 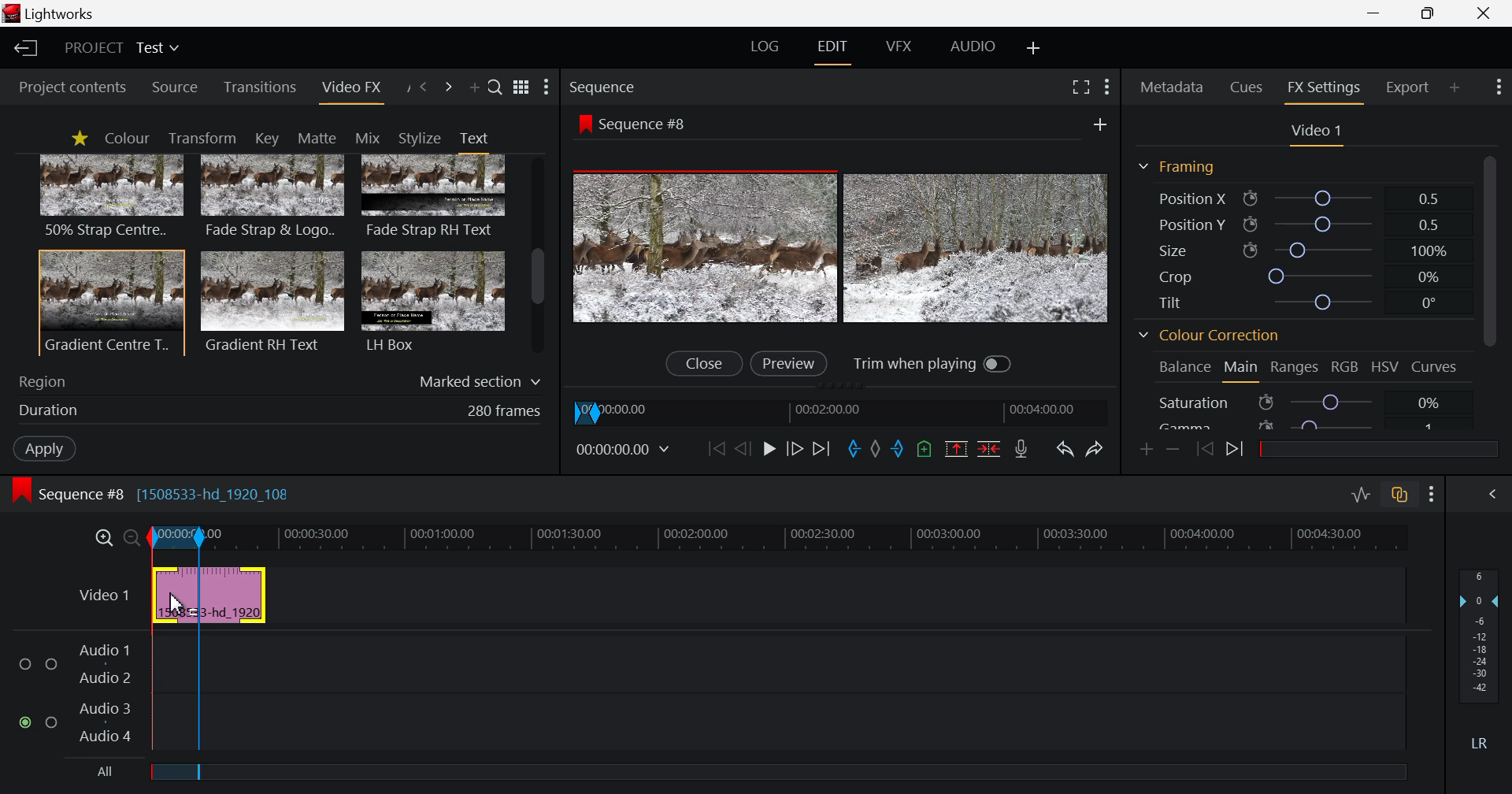 What do you see at coordinates (420, 138) in the screenshot?
I see `Stylize` at bounding box center [420, 138].